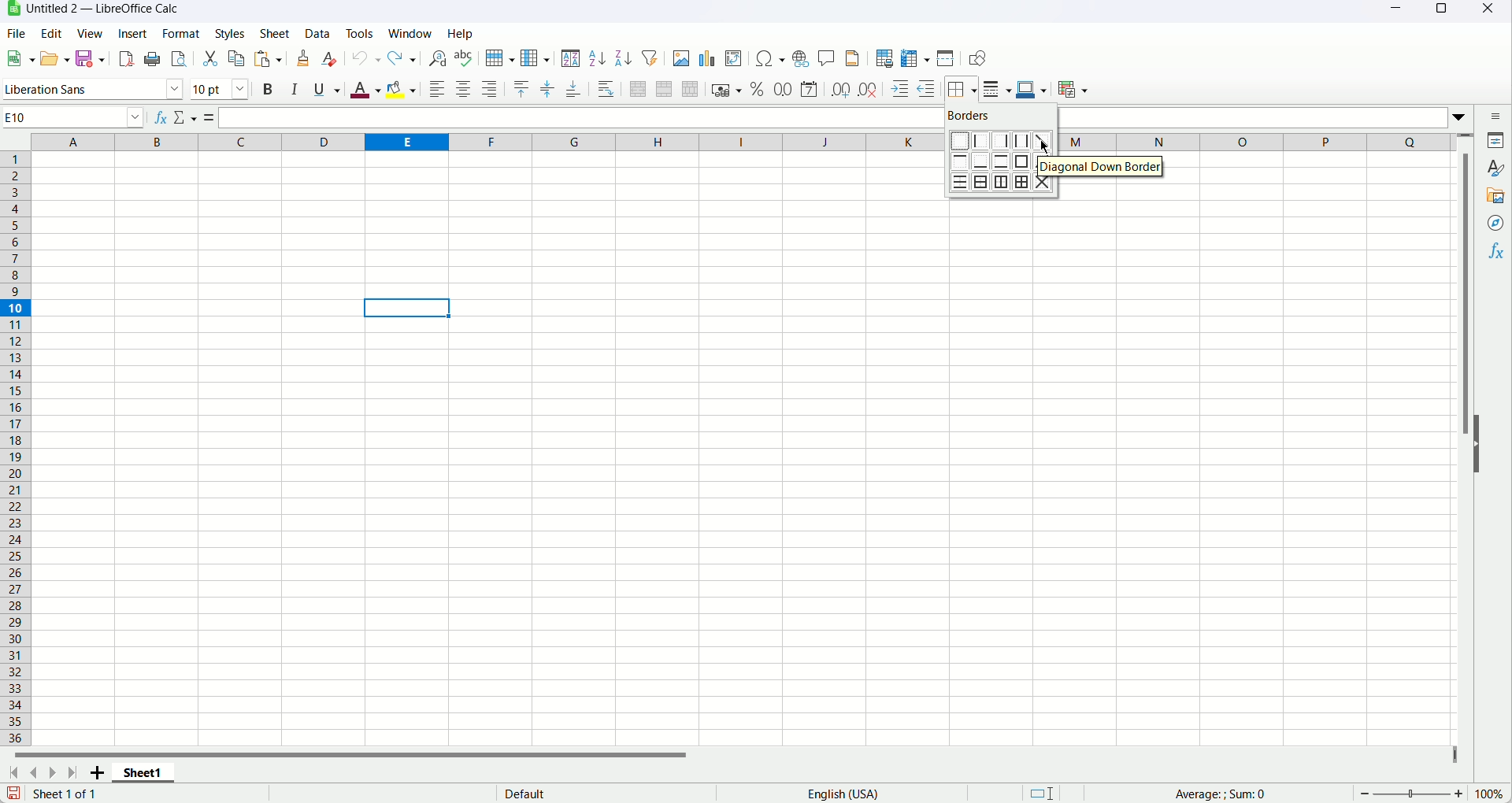 This screenshot has width=1512, height=803. Describe the element at coordinates (366, 58) in the screenshot. I see `Undo` at that location.